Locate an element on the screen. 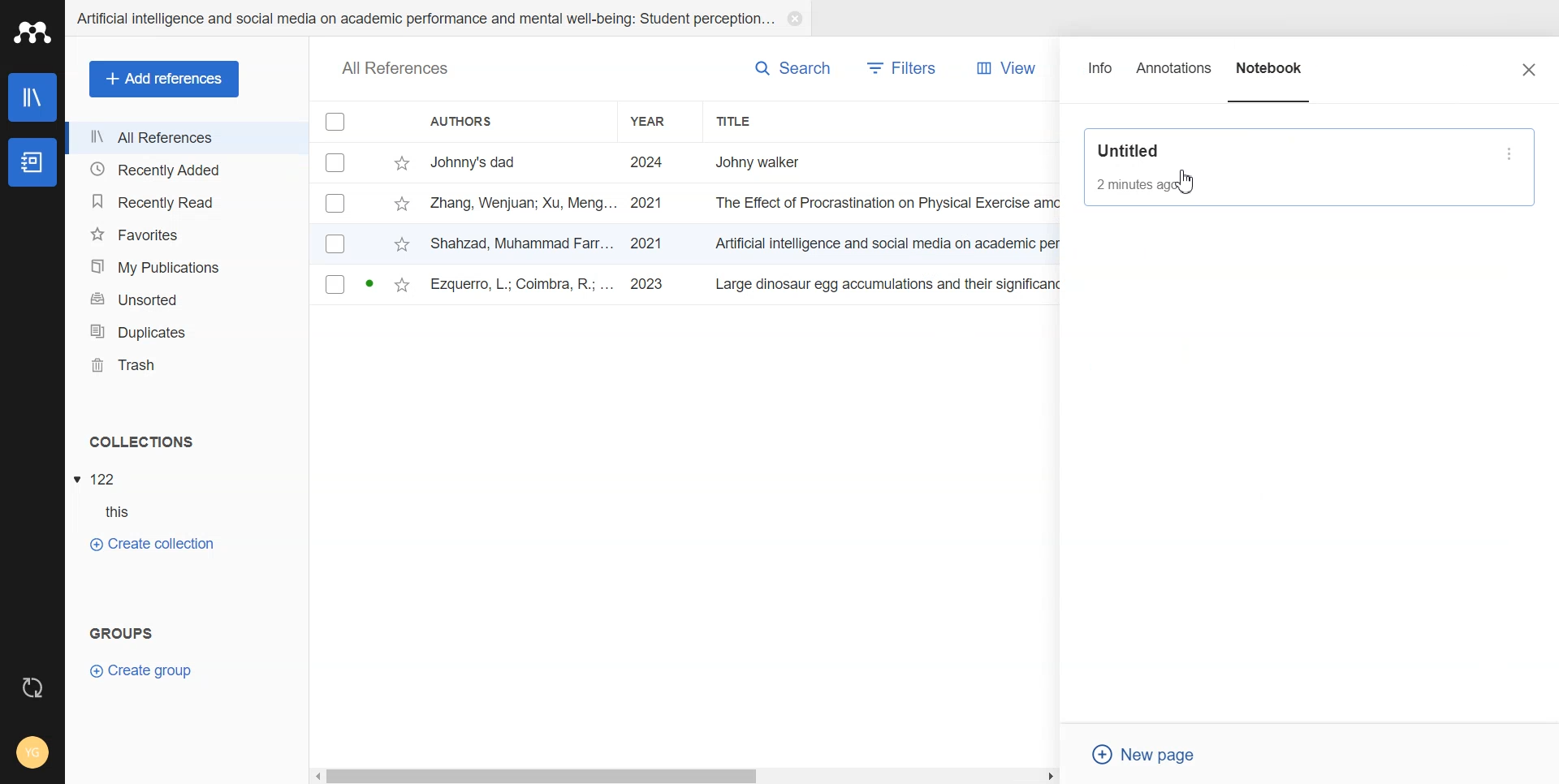 The image size is (1559, 784). Untitled page created 2 minutes ago is located at coordinates (1290, 166).